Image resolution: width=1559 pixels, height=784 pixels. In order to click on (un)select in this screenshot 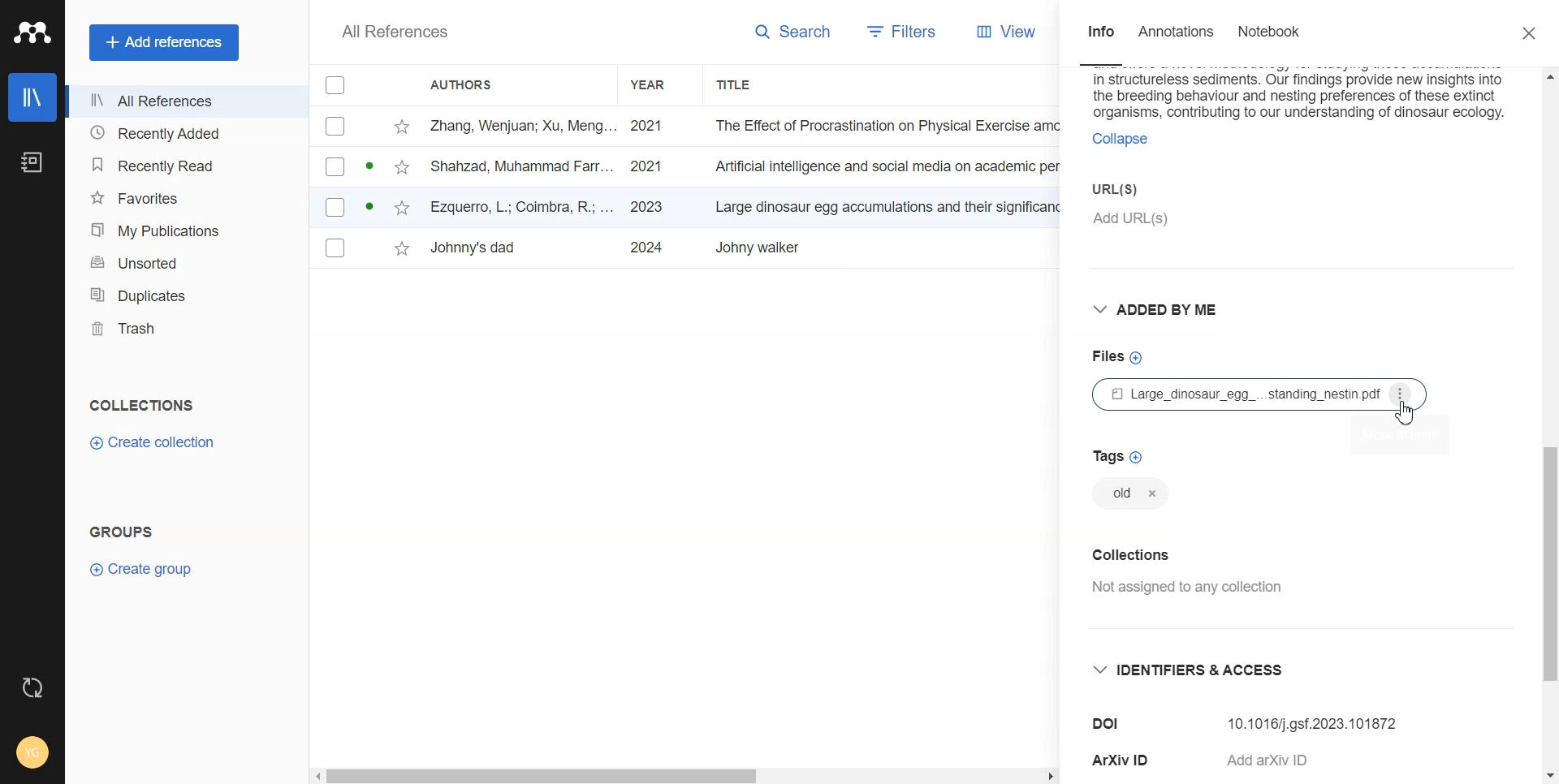, I will do `click(335, 209)`.